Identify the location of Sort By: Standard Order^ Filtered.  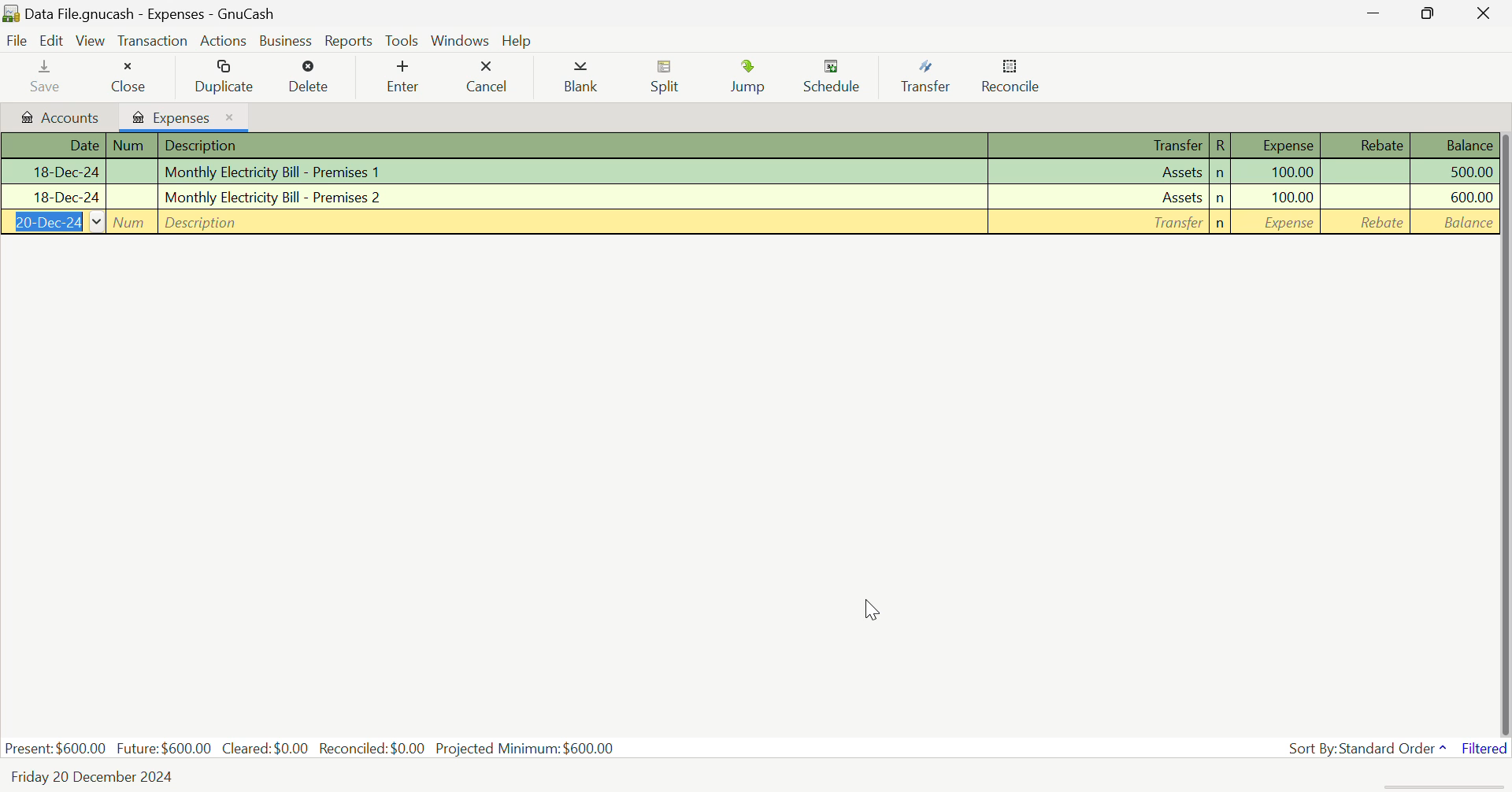
(1395, 747).